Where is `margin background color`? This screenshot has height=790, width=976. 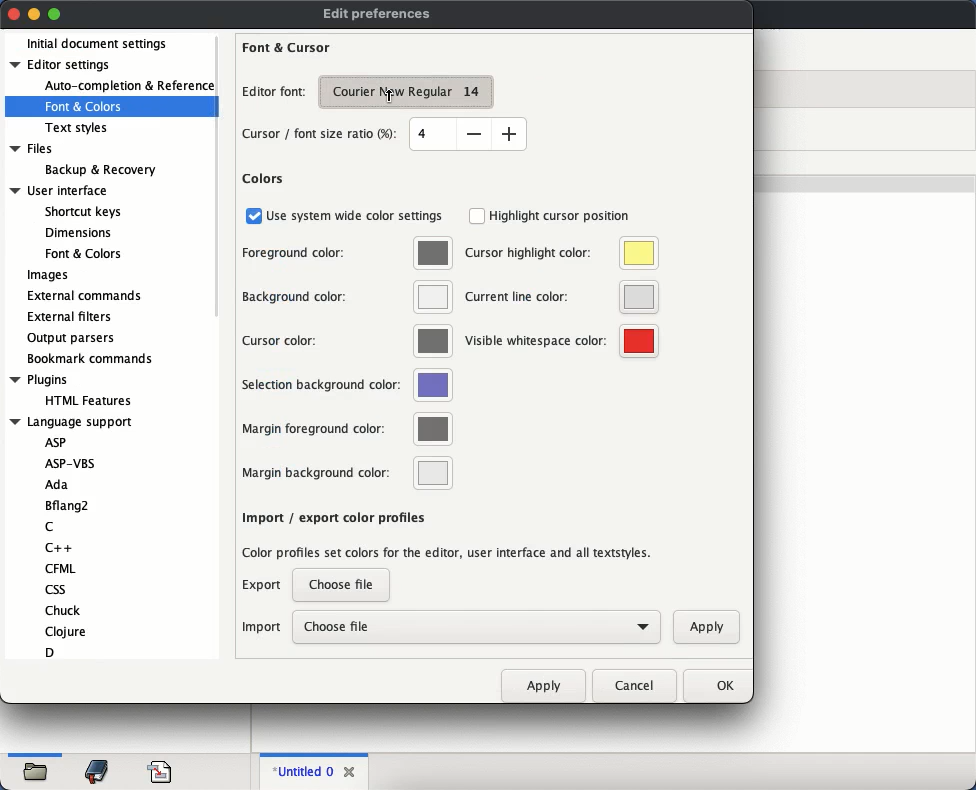
margin background color is located at coordinates (343, 473).